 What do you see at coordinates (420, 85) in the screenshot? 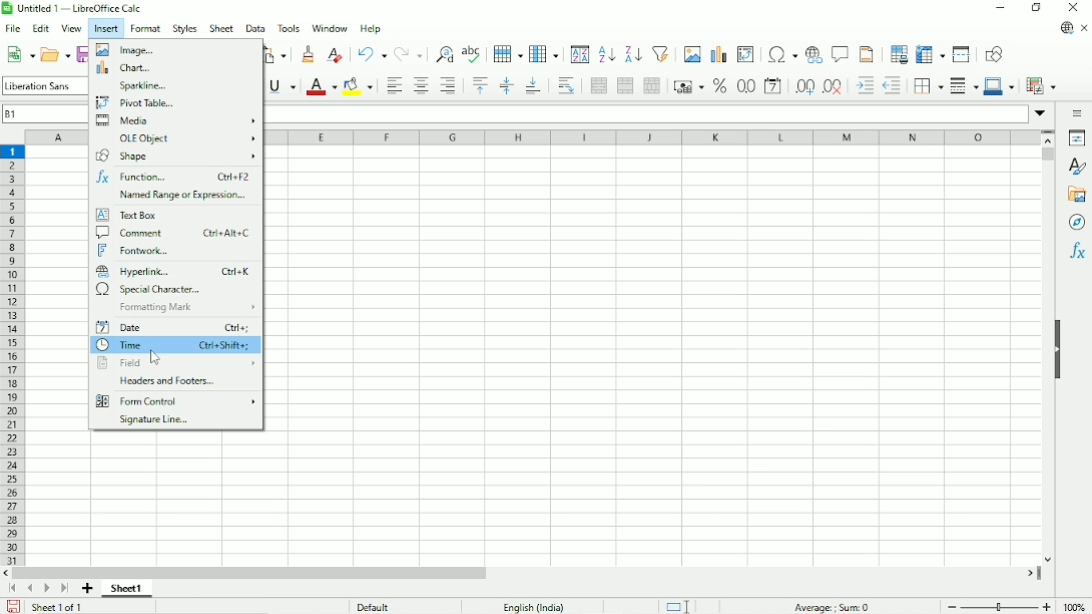
I see `Align center` at bounding box center [420, 85].